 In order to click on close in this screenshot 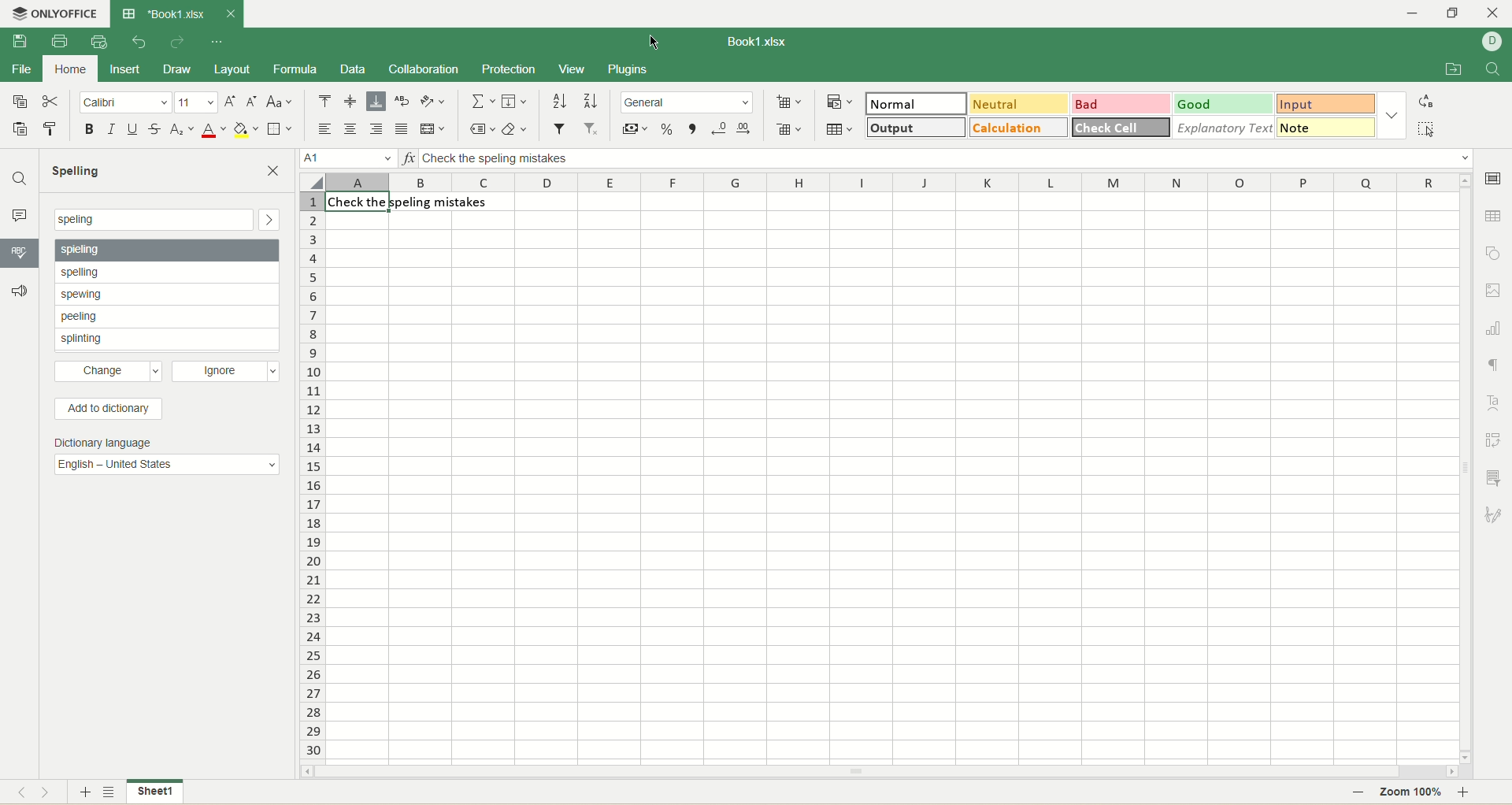, I will do `click(270, 172)`.